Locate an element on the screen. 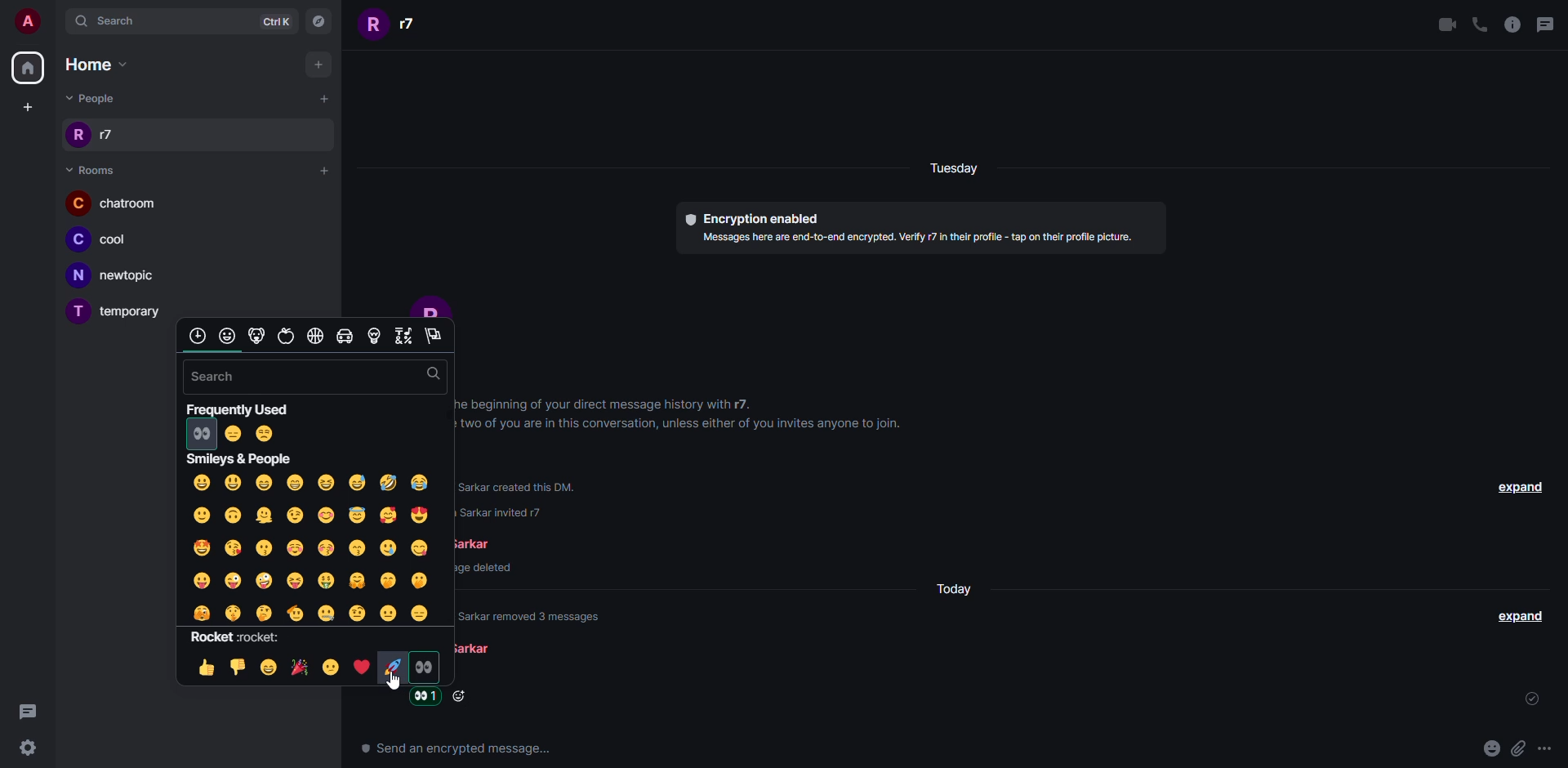 The height and width of the screenshot is (768, 1568). search is located at coordinates (111, 21).